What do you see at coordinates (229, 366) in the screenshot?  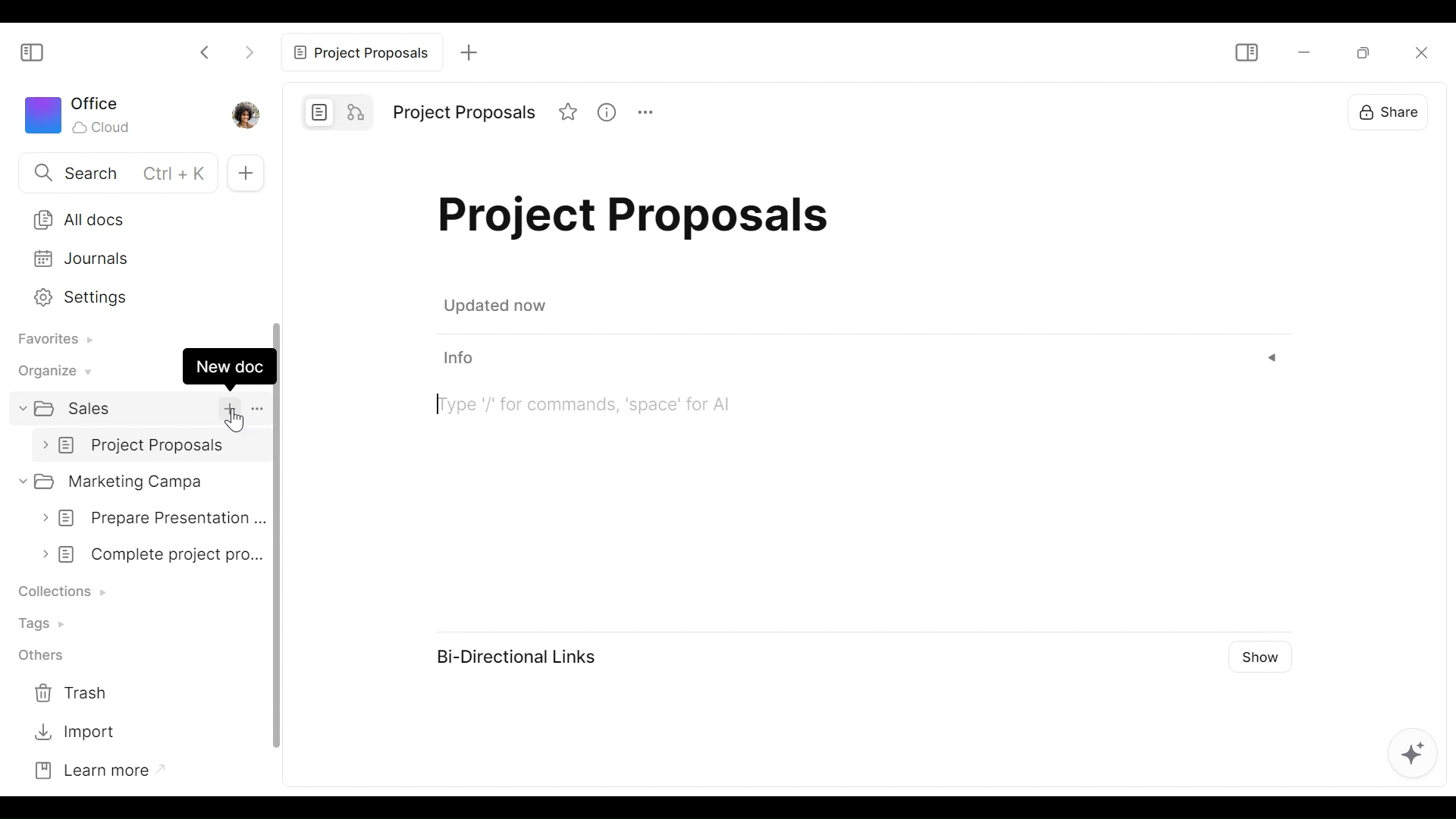 I see `New doc` at bounding box center [229, 366].